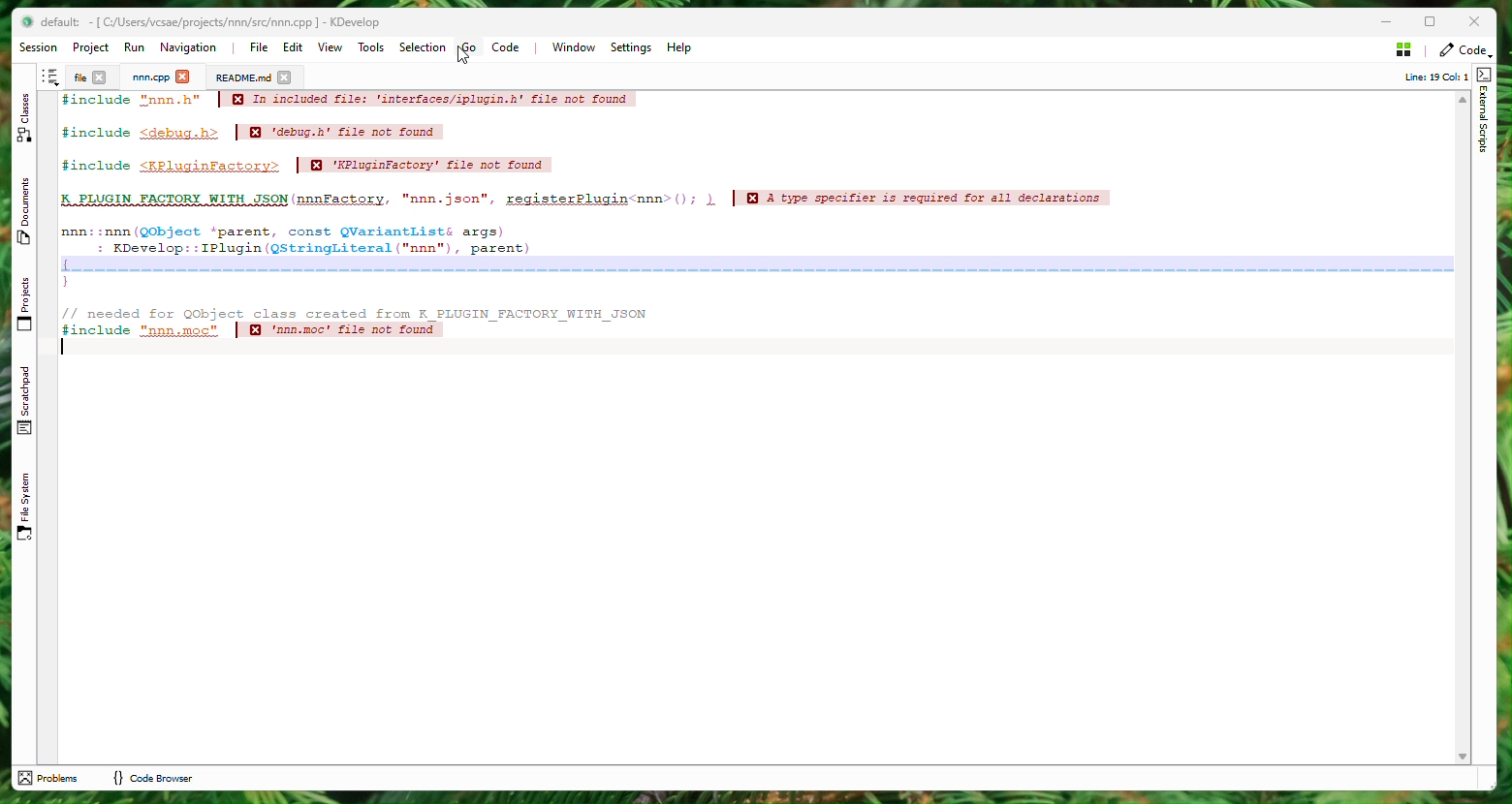  I want to click on File, so click(258, 46).